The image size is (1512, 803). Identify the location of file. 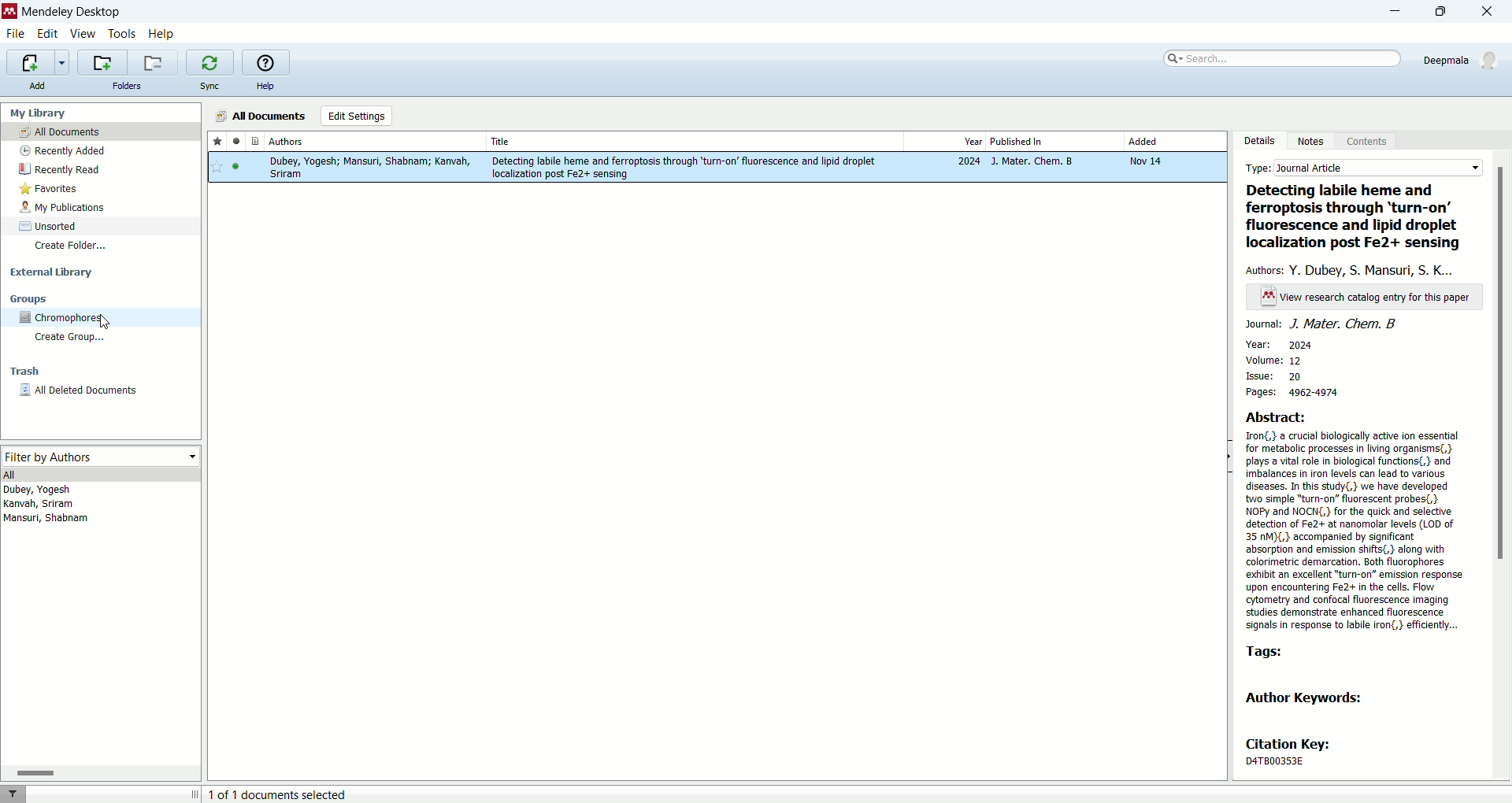
(15, 35).